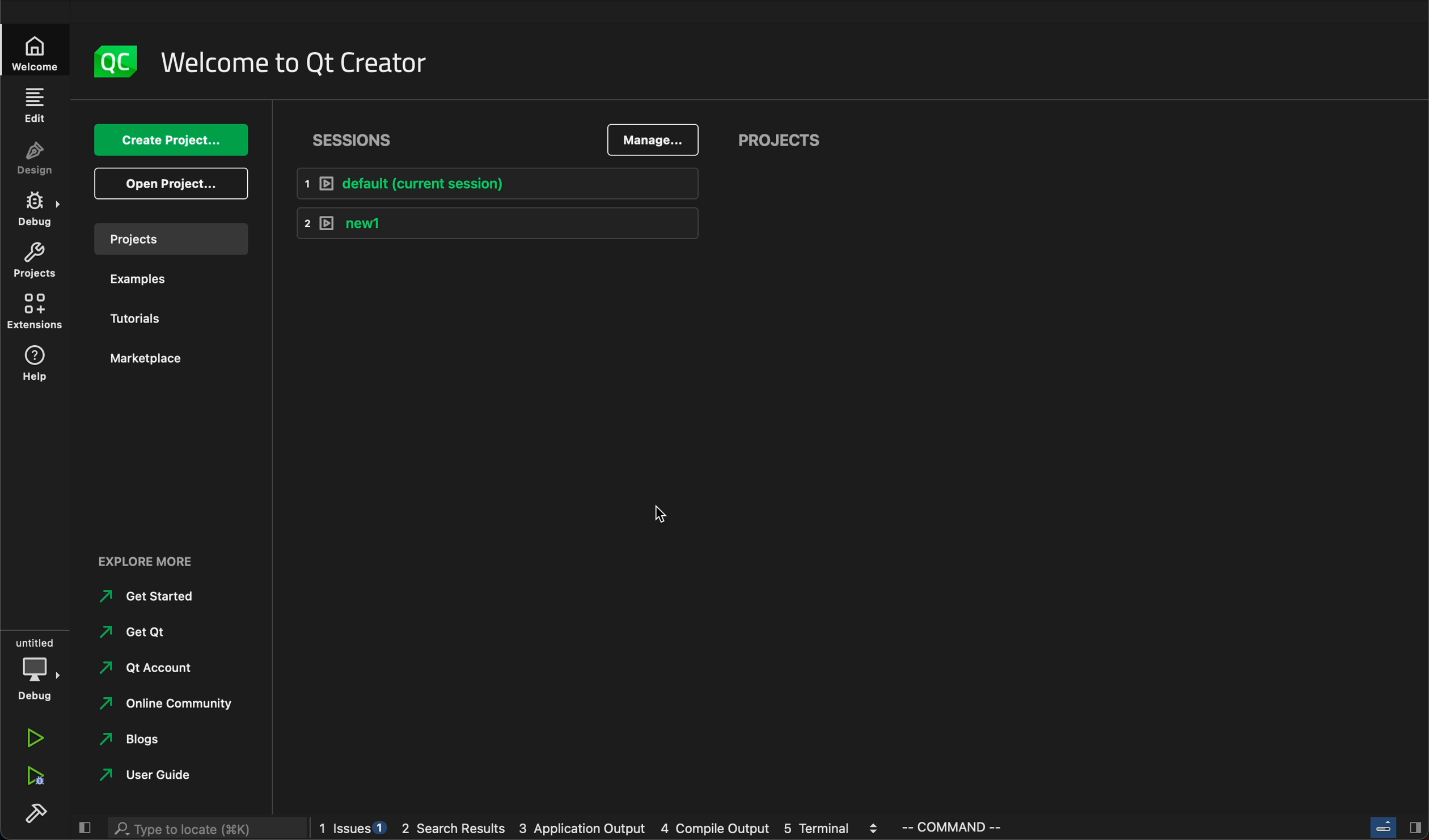  I want to click on run, so click(36, 737).